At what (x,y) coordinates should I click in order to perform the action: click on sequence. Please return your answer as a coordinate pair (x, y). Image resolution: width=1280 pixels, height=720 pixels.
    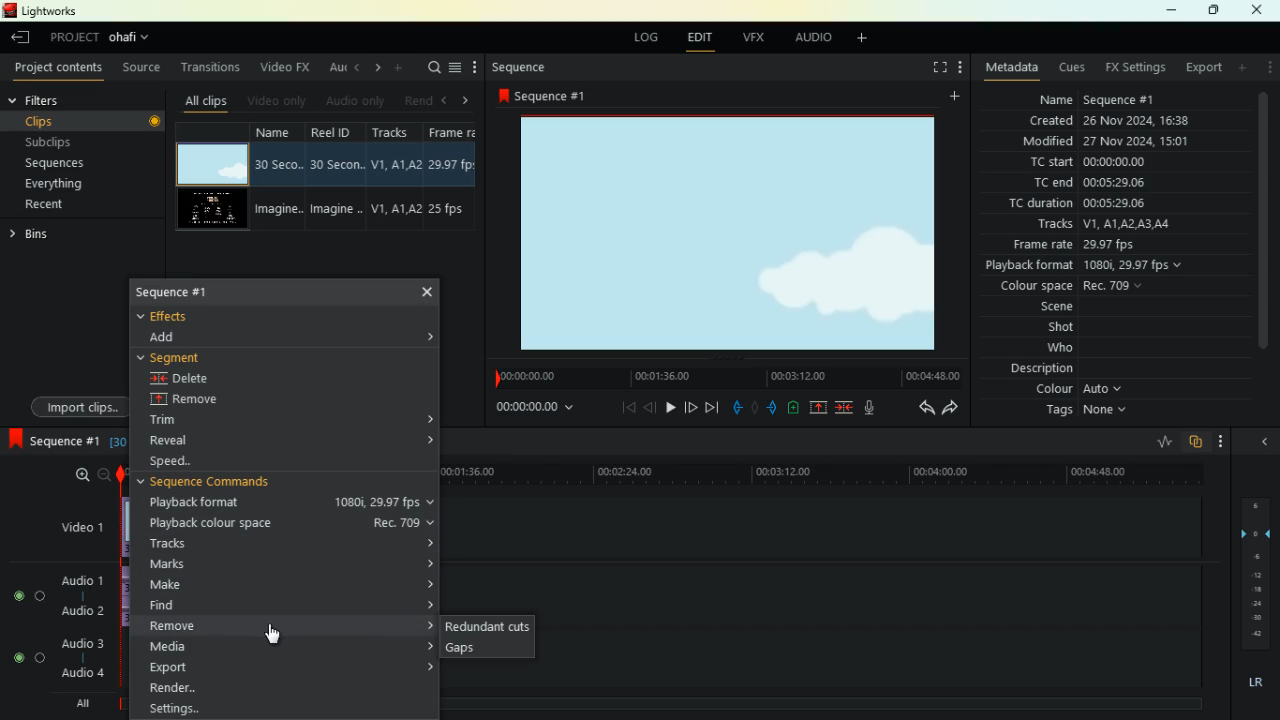
    Looking at the image, I should click on (215, 483).